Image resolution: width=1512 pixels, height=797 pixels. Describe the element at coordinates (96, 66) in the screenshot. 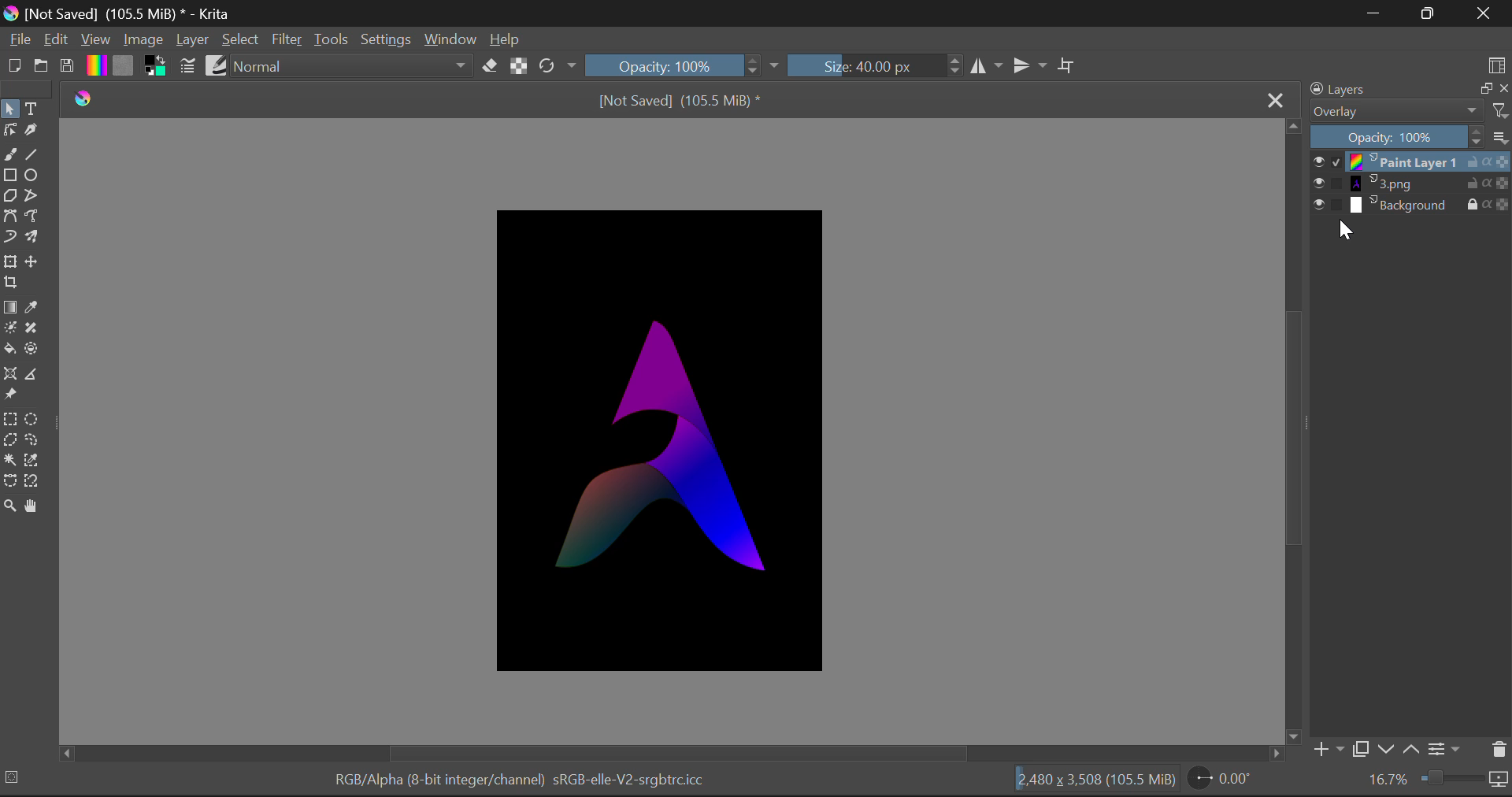

I see `Gradient` at that location.